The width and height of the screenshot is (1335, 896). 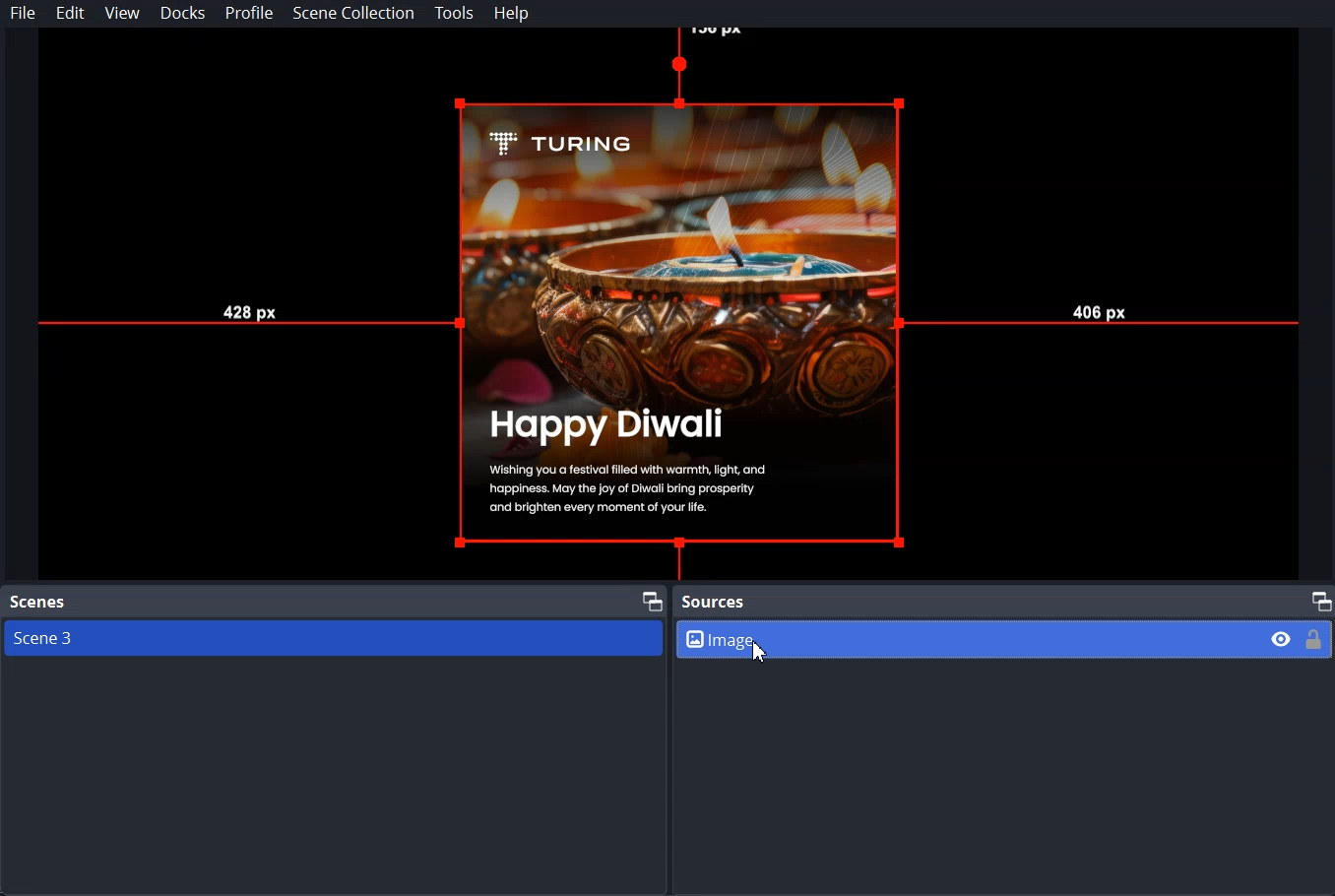 What do you see at coordinates (352, 13) in the screenshot?
I see `Scene Collection` at bounding box center [352, 13].